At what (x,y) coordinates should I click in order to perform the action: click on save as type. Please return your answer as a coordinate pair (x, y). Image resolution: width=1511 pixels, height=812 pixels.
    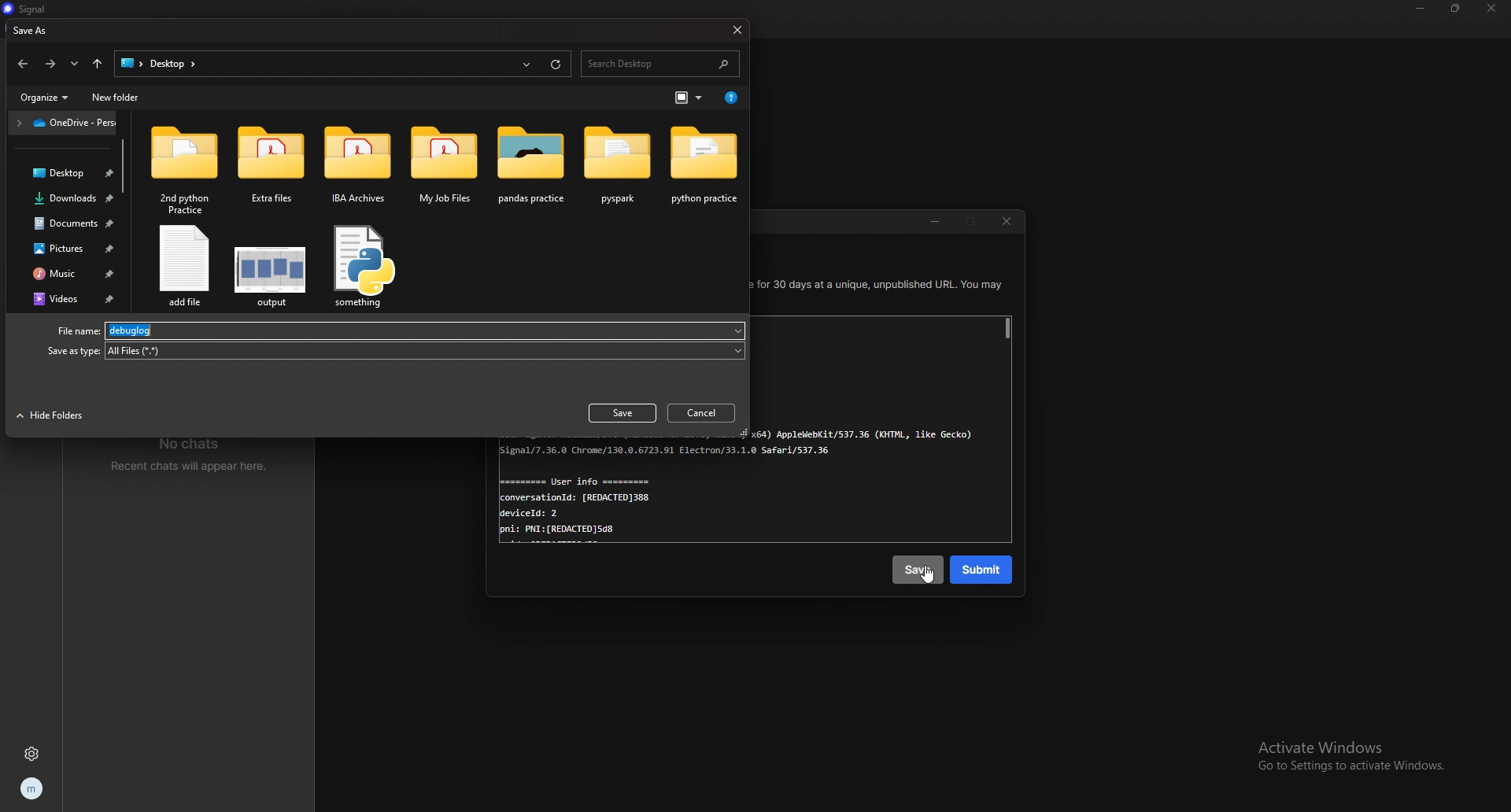
    Looking at the image, I should click on (395, 352).